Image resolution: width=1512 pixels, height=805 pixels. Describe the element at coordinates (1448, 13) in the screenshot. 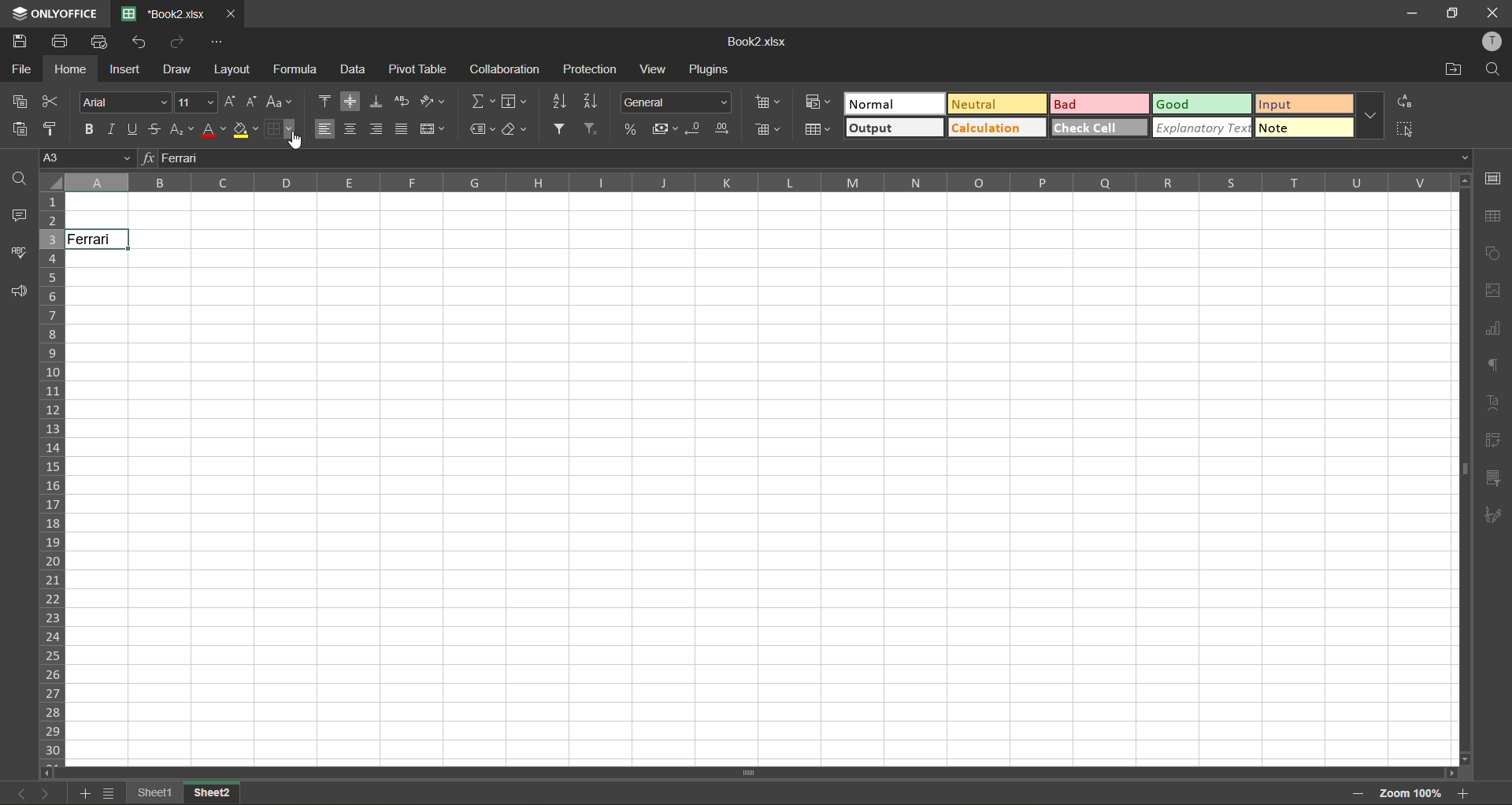

I see `maximize` at that location.